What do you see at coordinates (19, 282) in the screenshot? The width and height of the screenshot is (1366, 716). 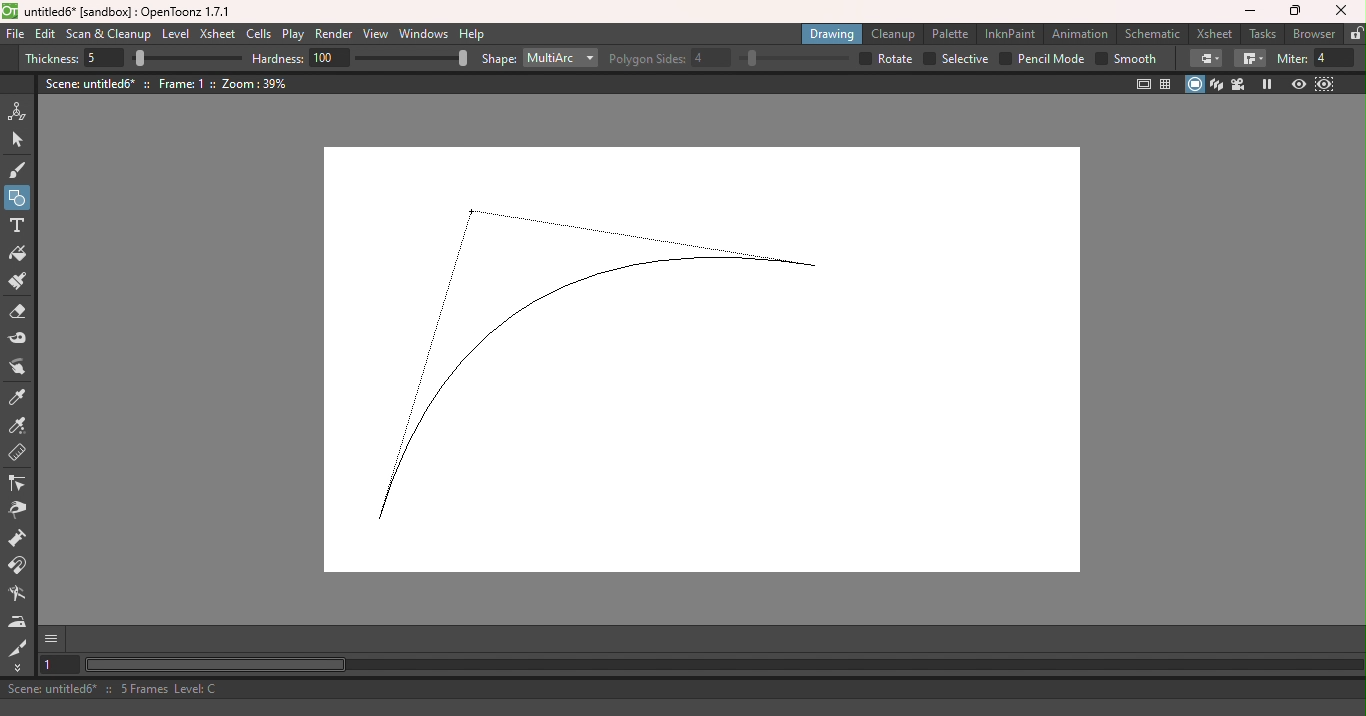 I see `Paint brush` at bounding box center [19, 282].